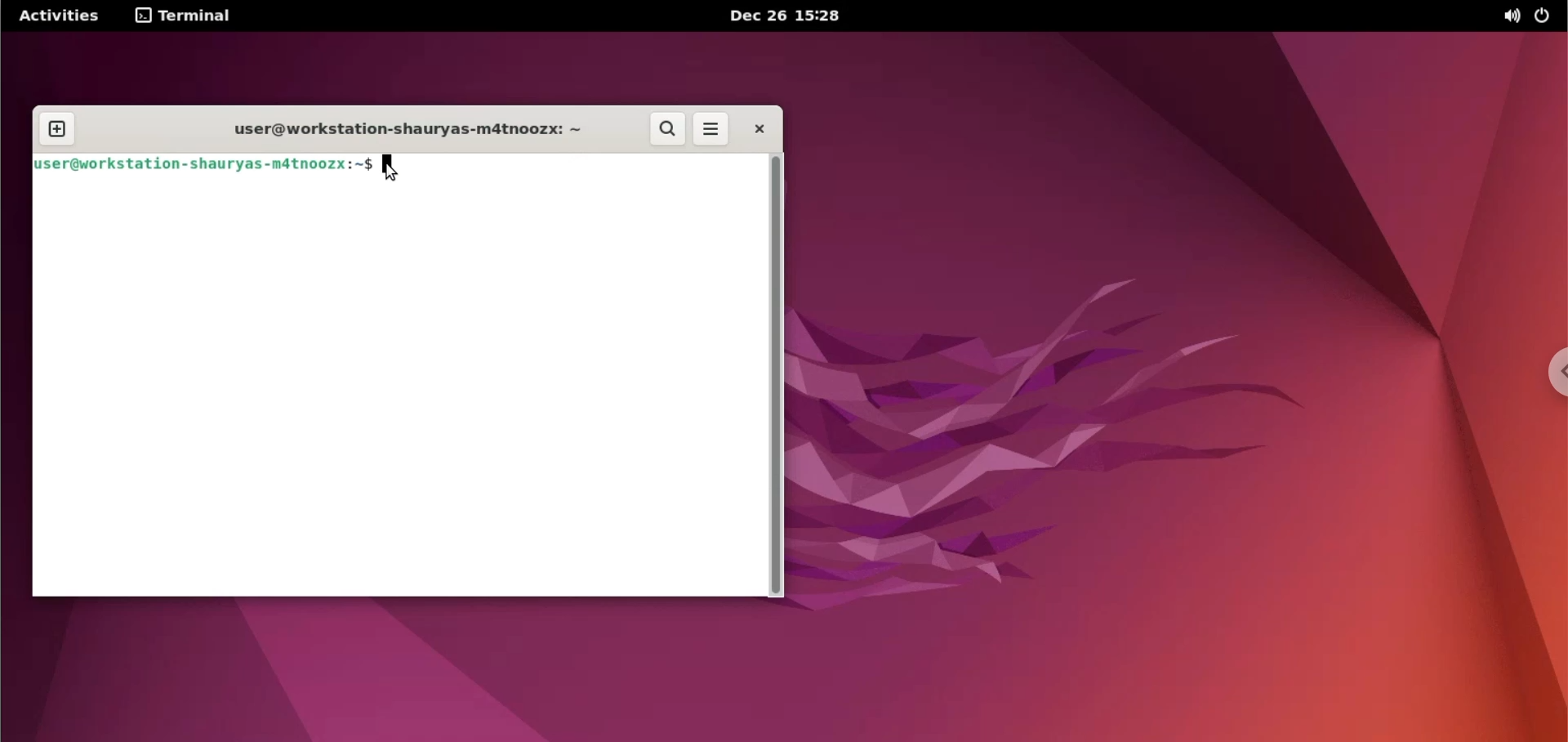  I want to click on terminal options, so click(185, 16).